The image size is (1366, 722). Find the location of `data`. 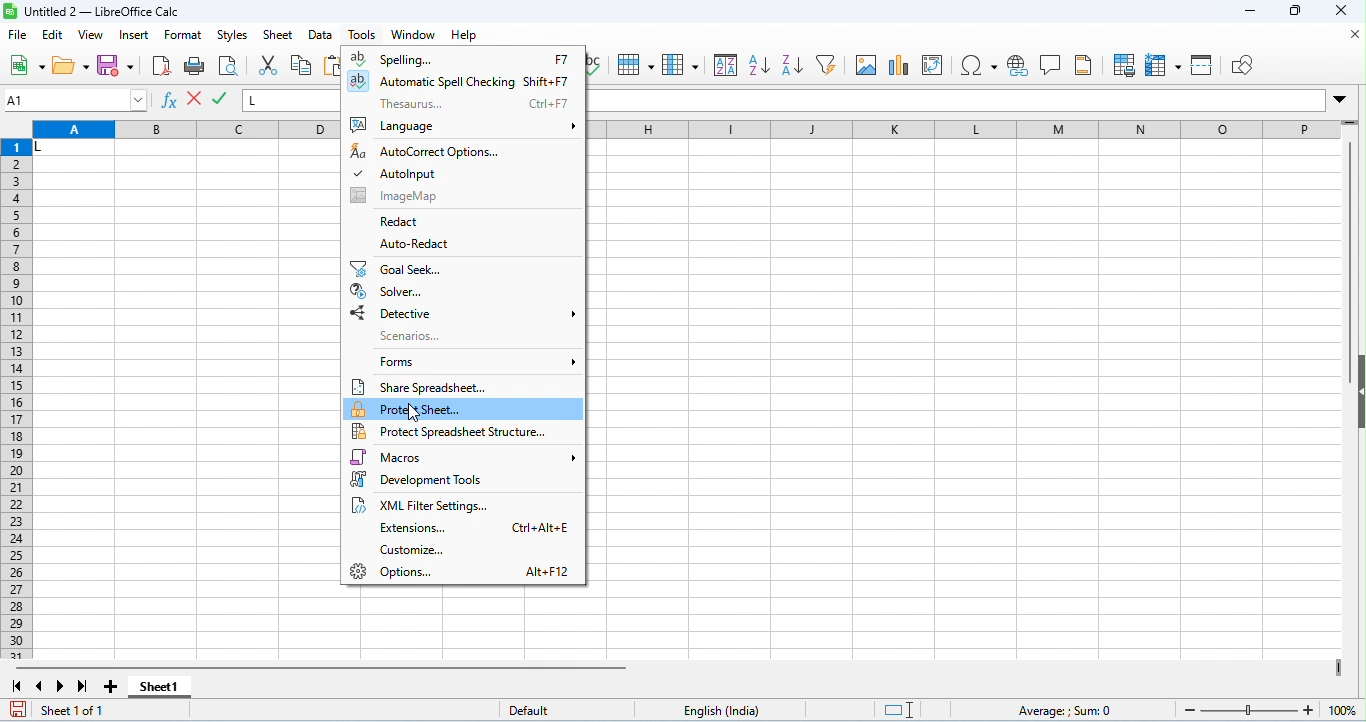

data is located at coordinates (323, 36).